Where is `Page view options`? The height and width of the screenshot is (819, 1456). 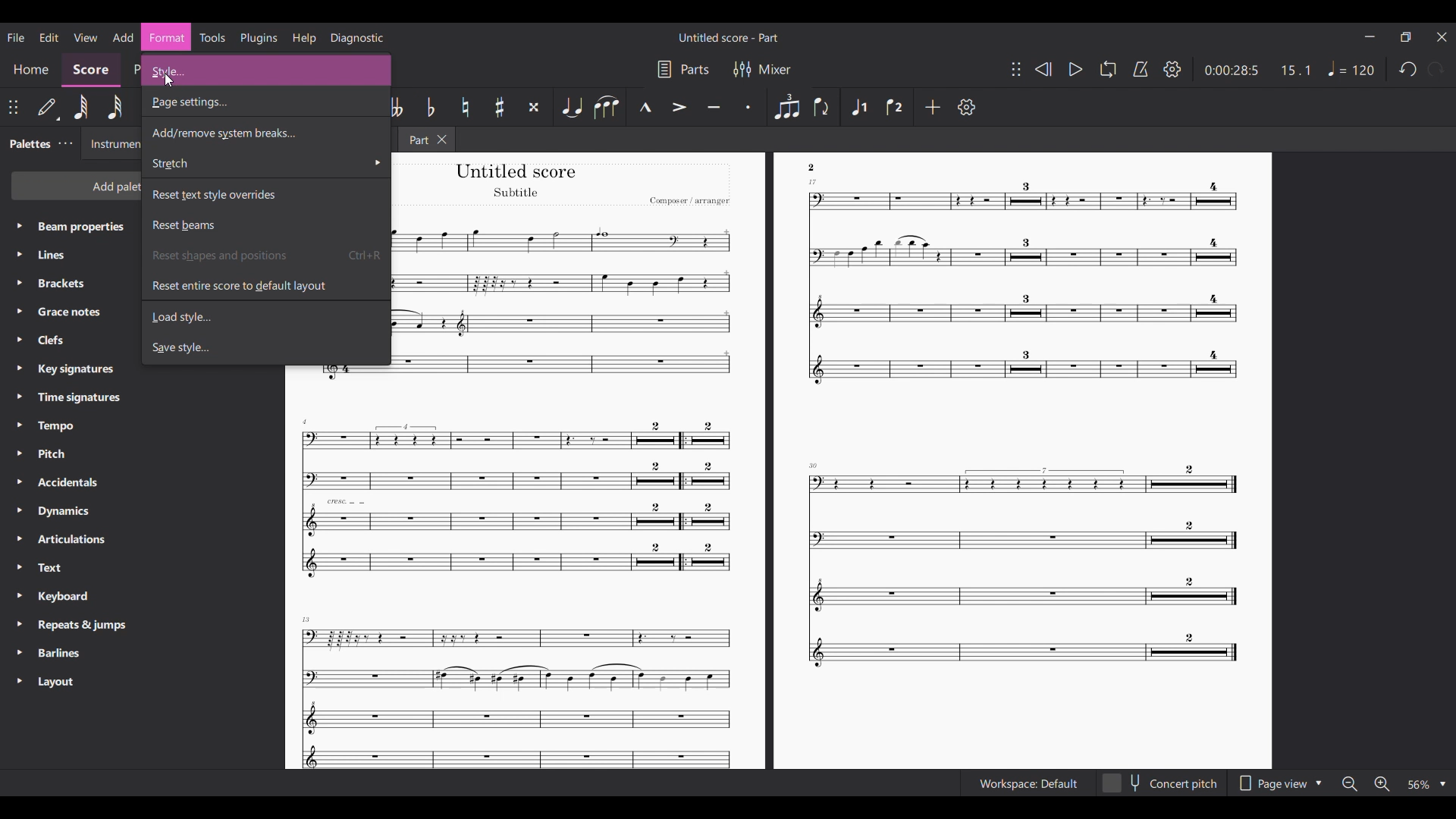
Page view options is located at coordinates (1279, 783).